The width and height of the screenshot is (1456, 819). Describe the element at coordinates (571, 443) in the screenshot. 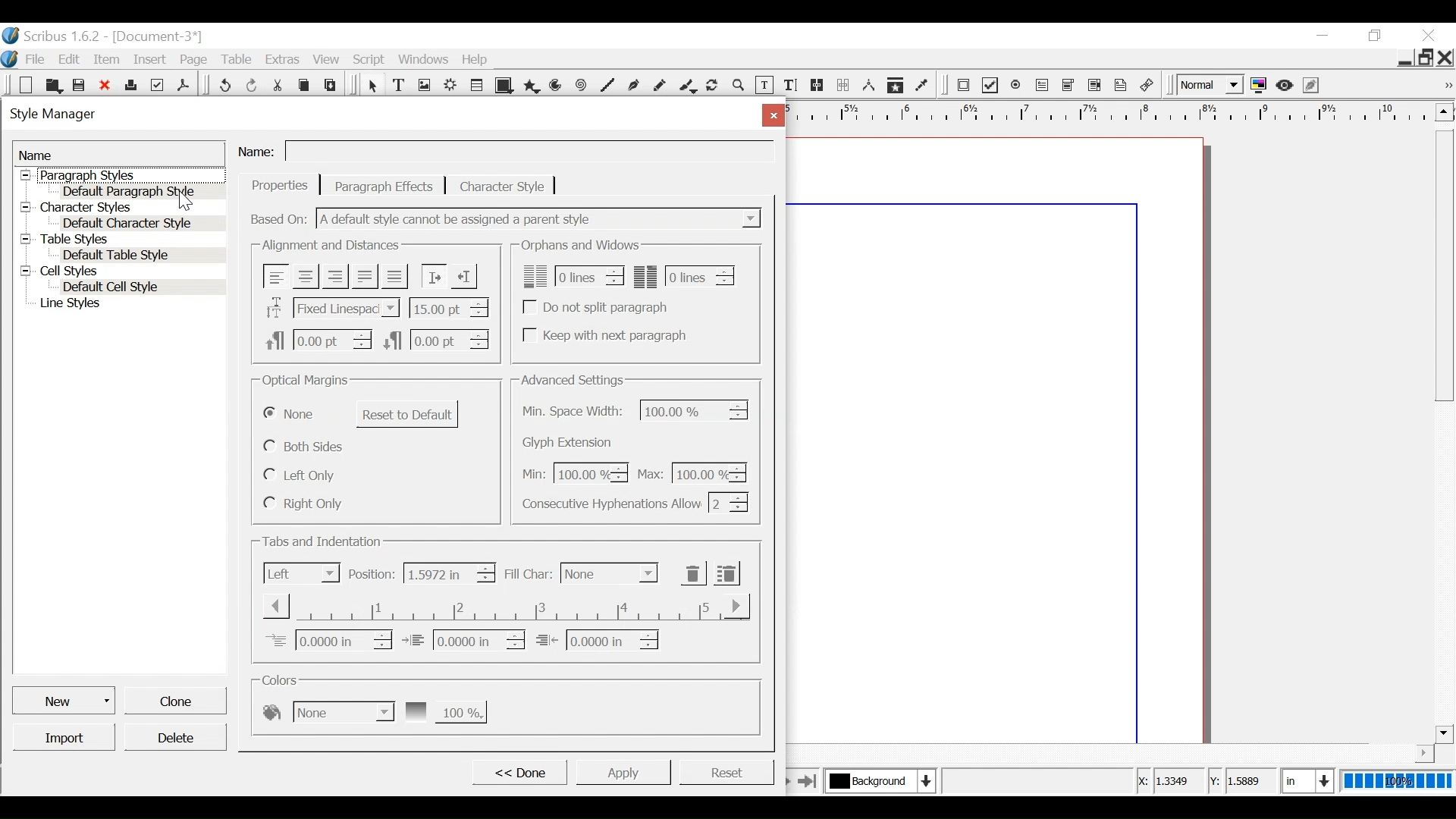

I see `Glyph extension` at that location.